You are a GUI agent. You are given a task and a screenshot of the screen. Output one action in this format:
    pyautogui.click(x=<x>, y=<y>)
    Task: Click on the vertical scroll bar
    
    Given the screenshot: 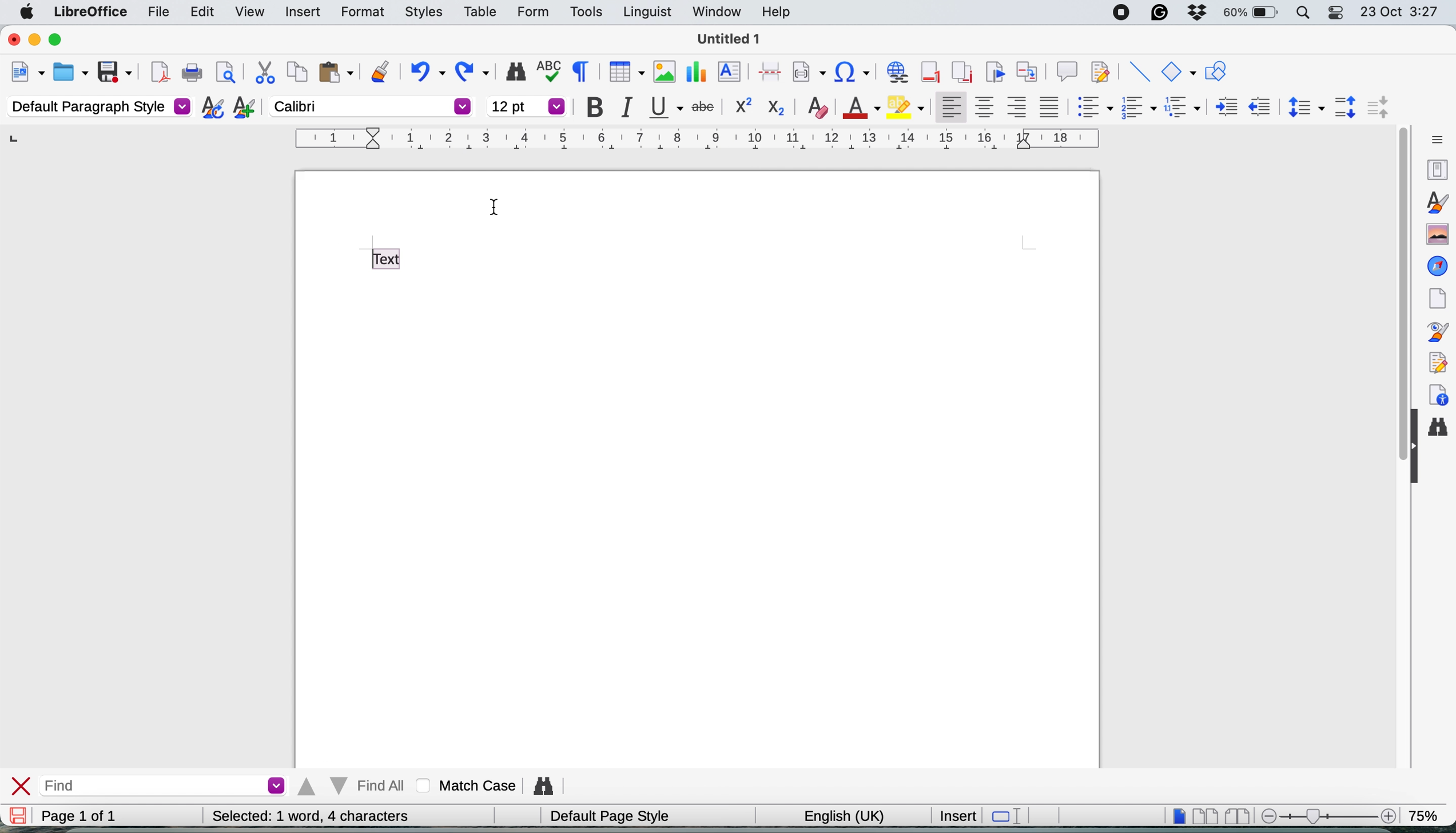 What is the action you would take?
    pyautogui.click(x=1398, y=265)
    